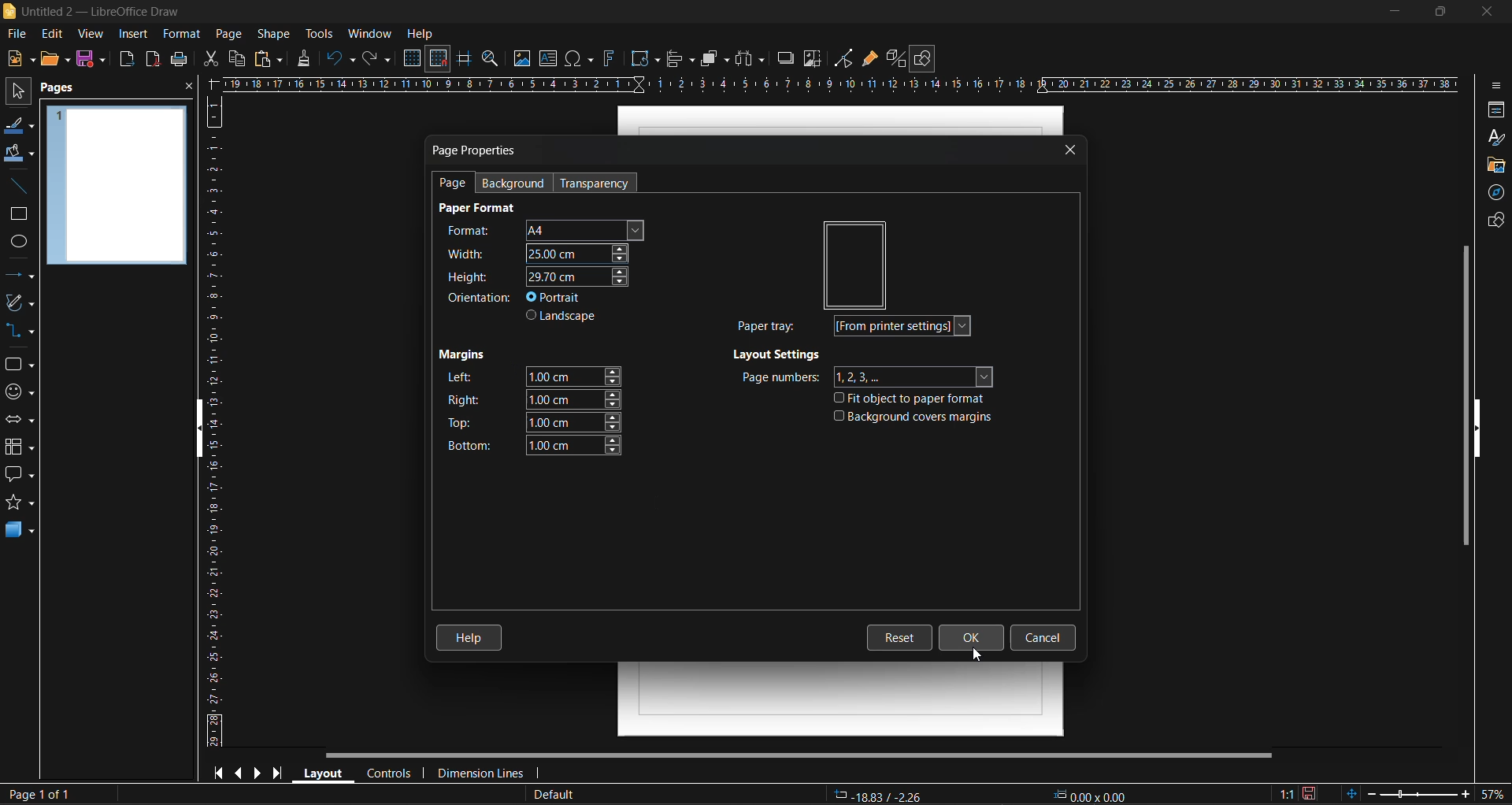  I want to click on page, so click(454, 184).